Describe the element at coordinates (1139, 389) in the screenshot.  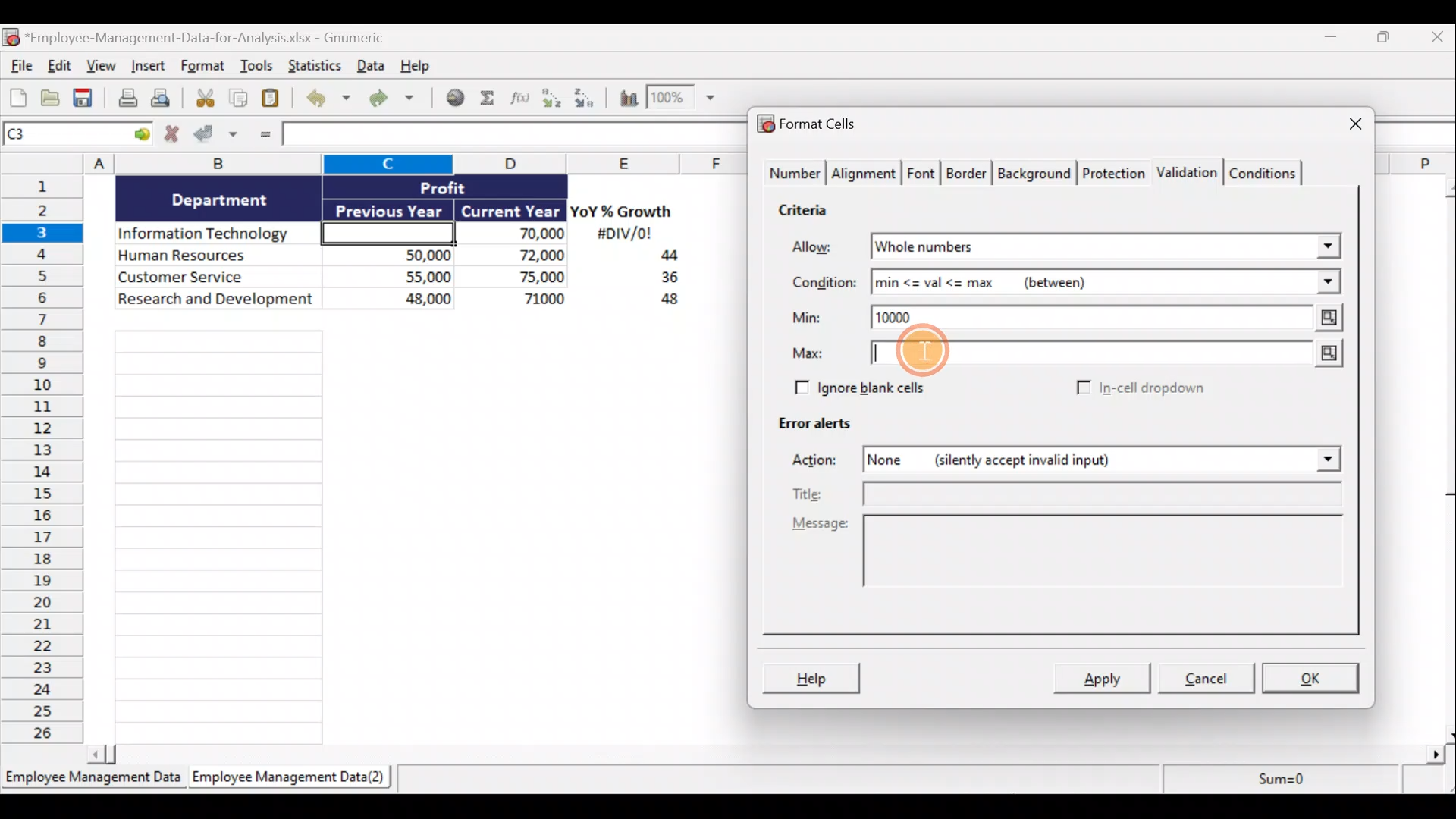
I see `In-cell dropdown` at that location.